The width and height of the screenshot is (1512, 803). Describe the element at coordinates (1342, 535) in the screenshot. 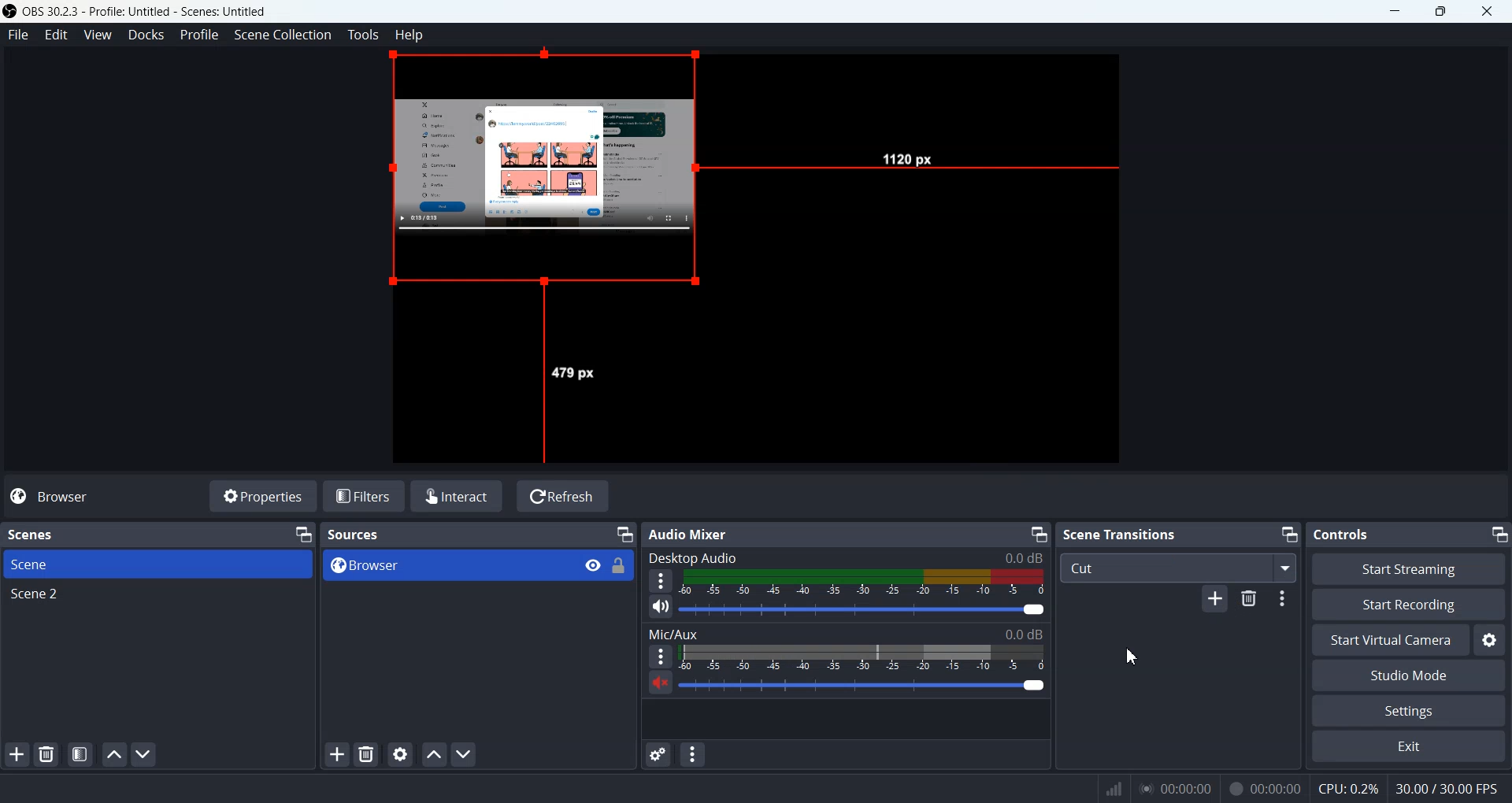

I see `Text` at that location.